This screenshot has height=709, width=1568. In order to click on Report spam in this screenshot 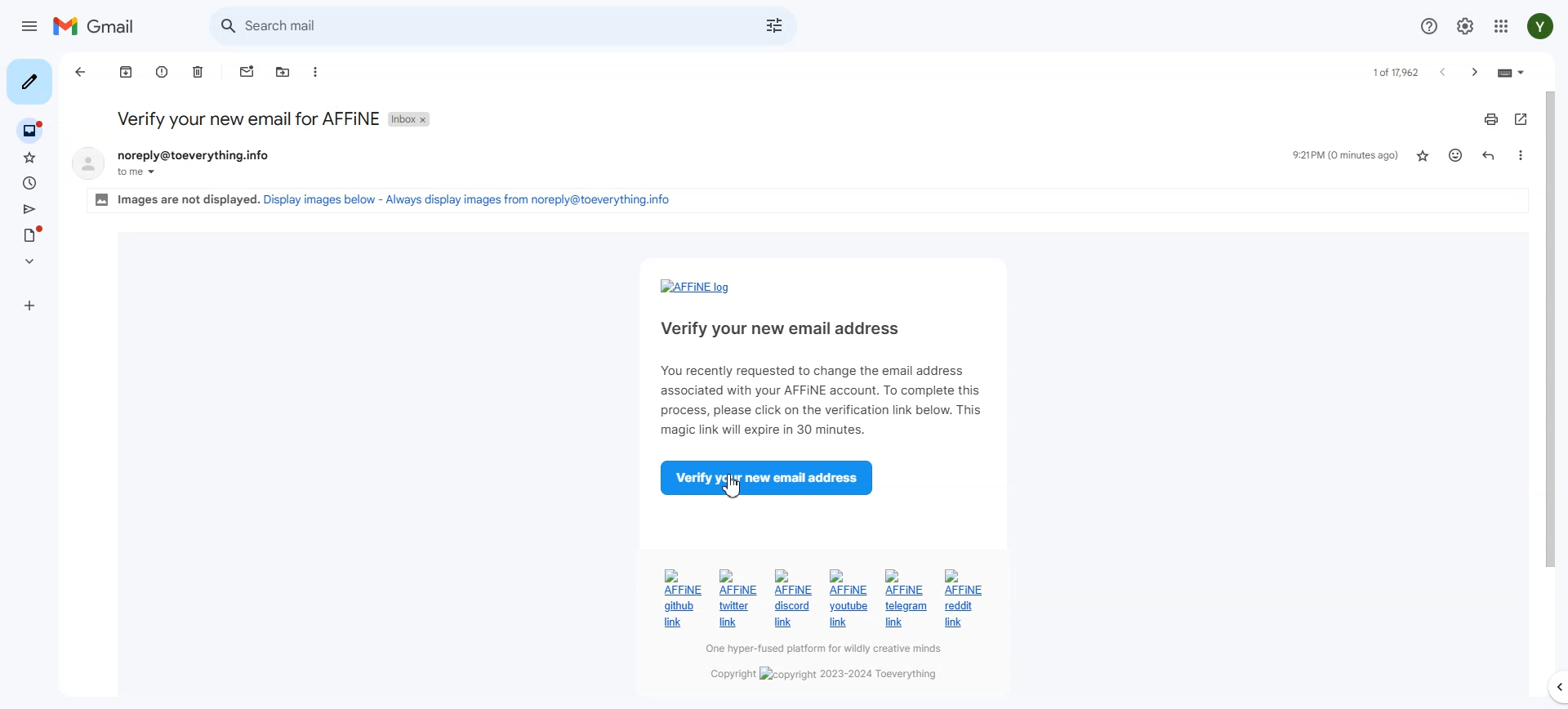, I will do `click(163, 73)`.